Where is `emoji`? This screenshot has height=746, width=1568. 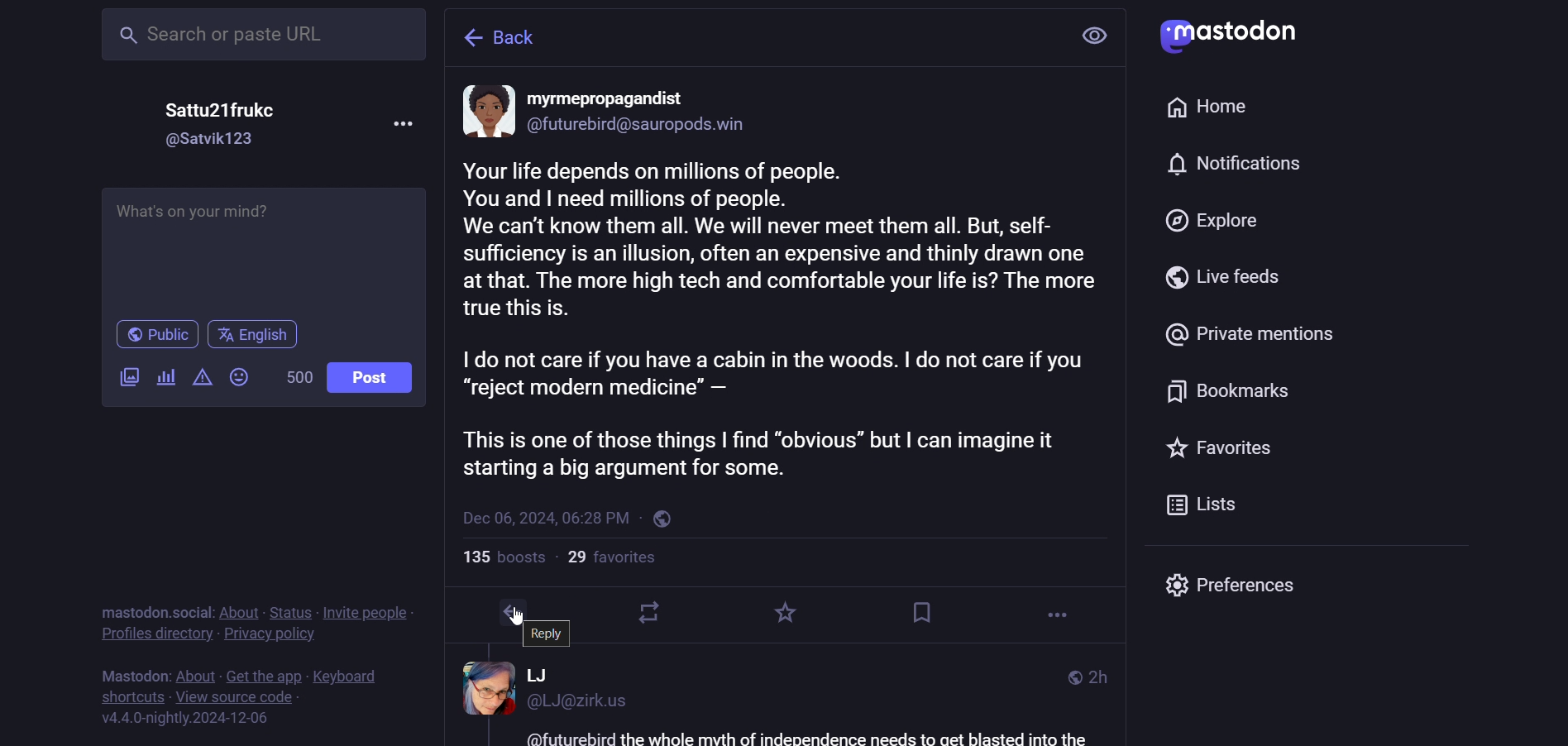 emoji is located at coordinates (241, 376).